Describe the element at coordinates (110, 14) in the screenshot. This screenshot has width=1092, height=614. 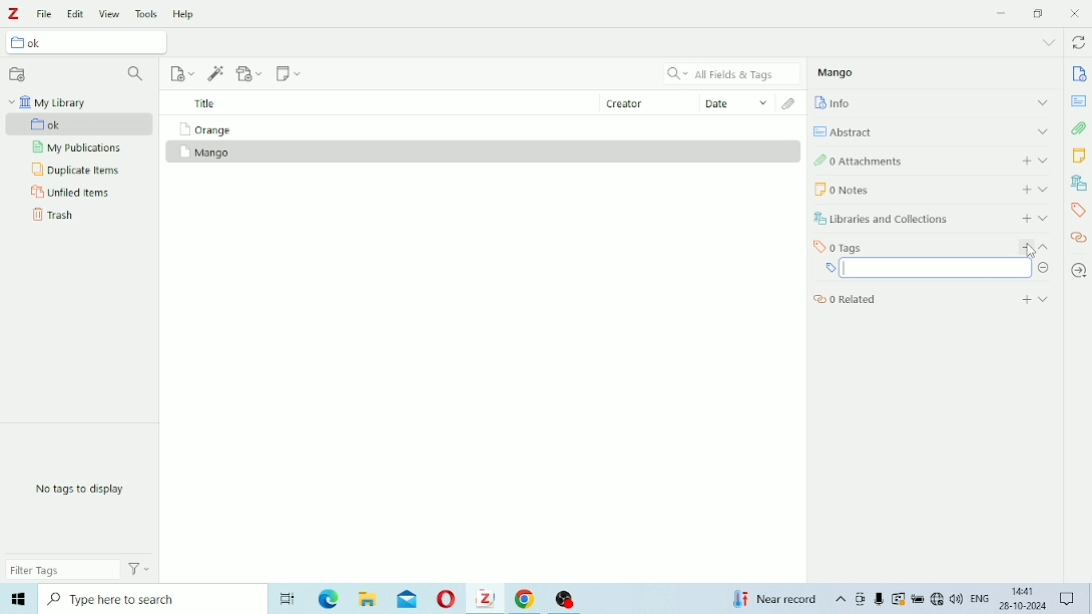
I see `View` at that location.